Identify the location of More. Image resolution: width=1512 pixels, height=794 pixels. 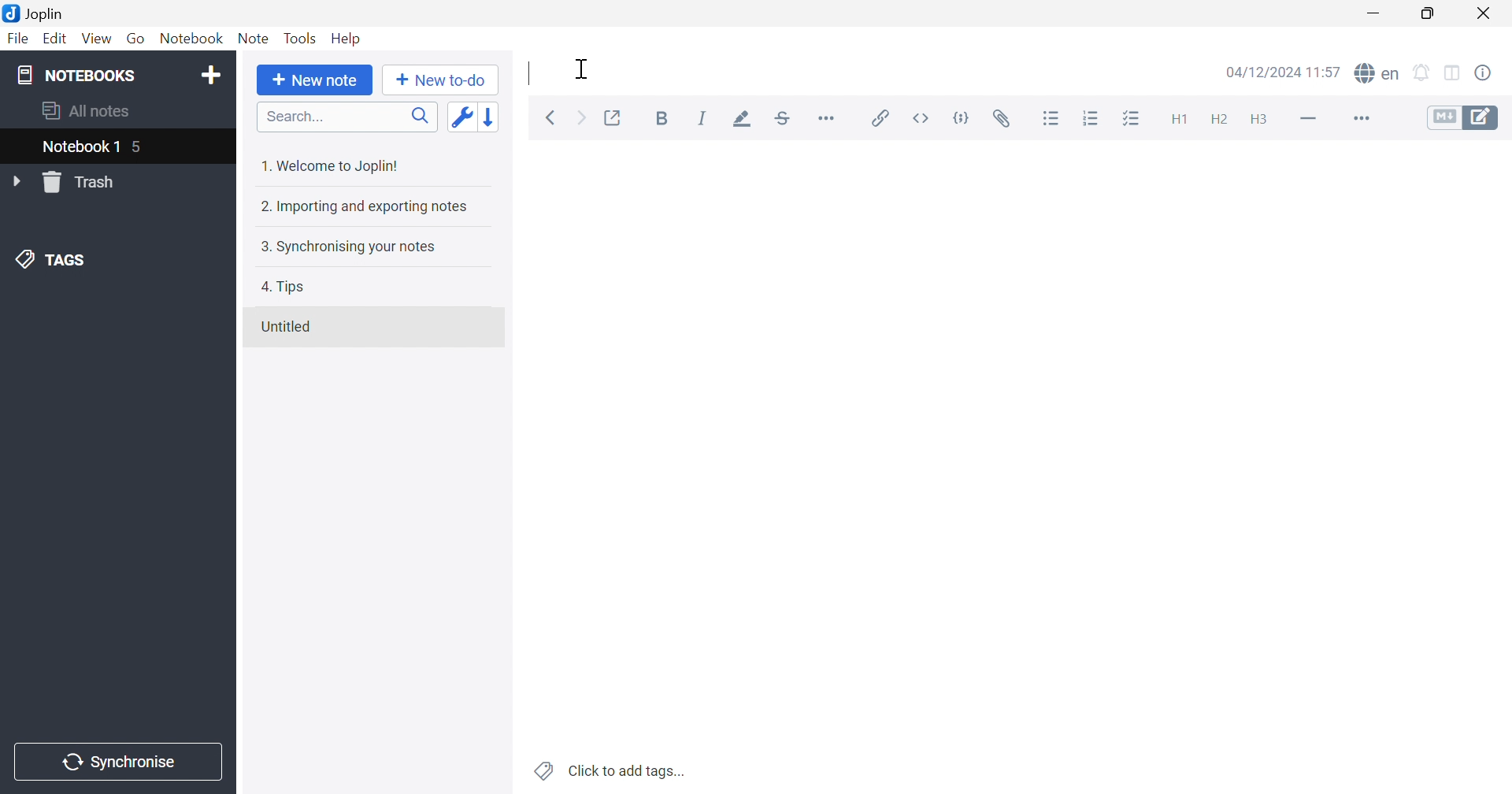
(1364, 118).